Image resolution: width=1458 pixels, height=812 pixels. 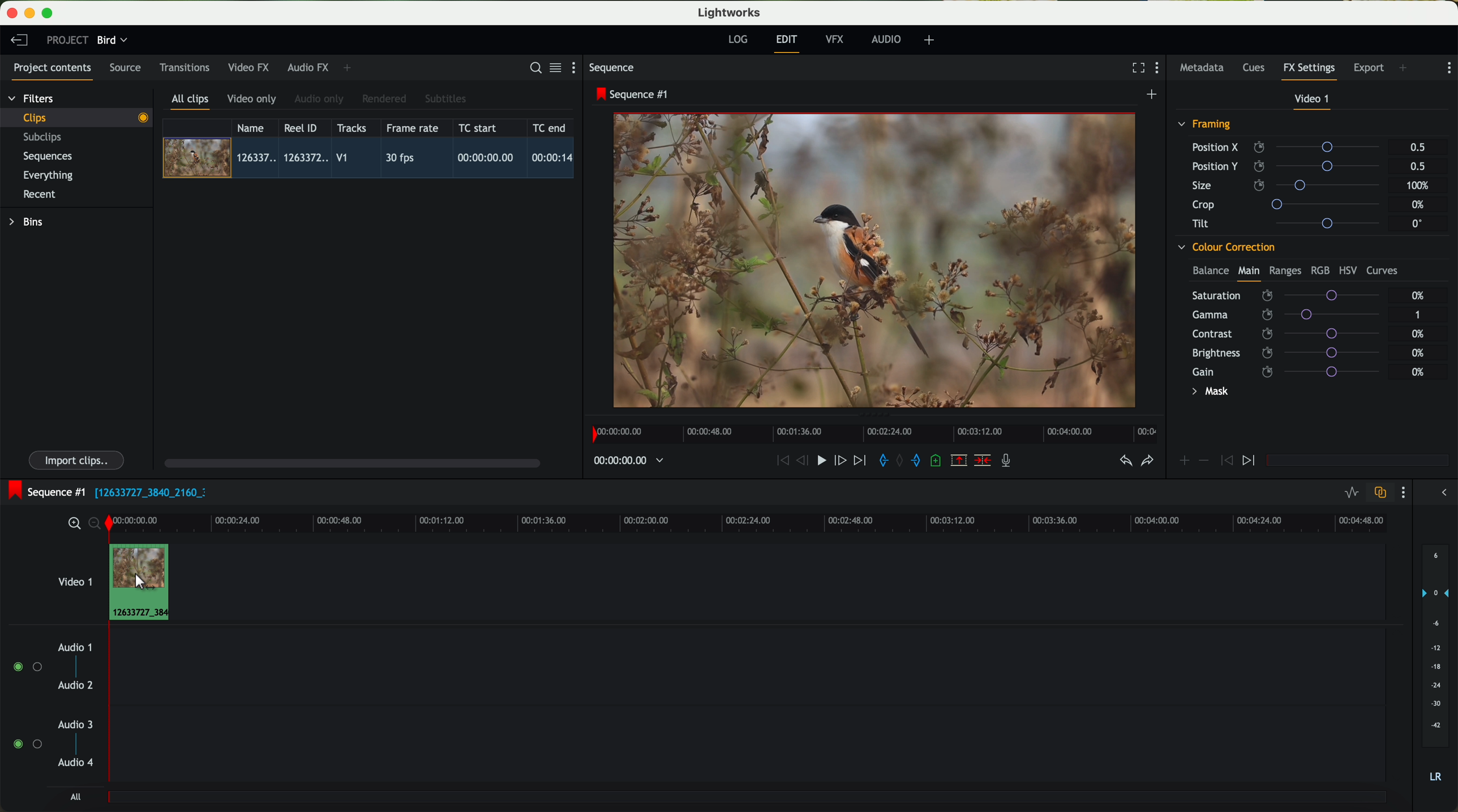 What do you see at coordinates (76, 763) in the screenshot?
I see `audio 4` at bounding box center [76, 763].